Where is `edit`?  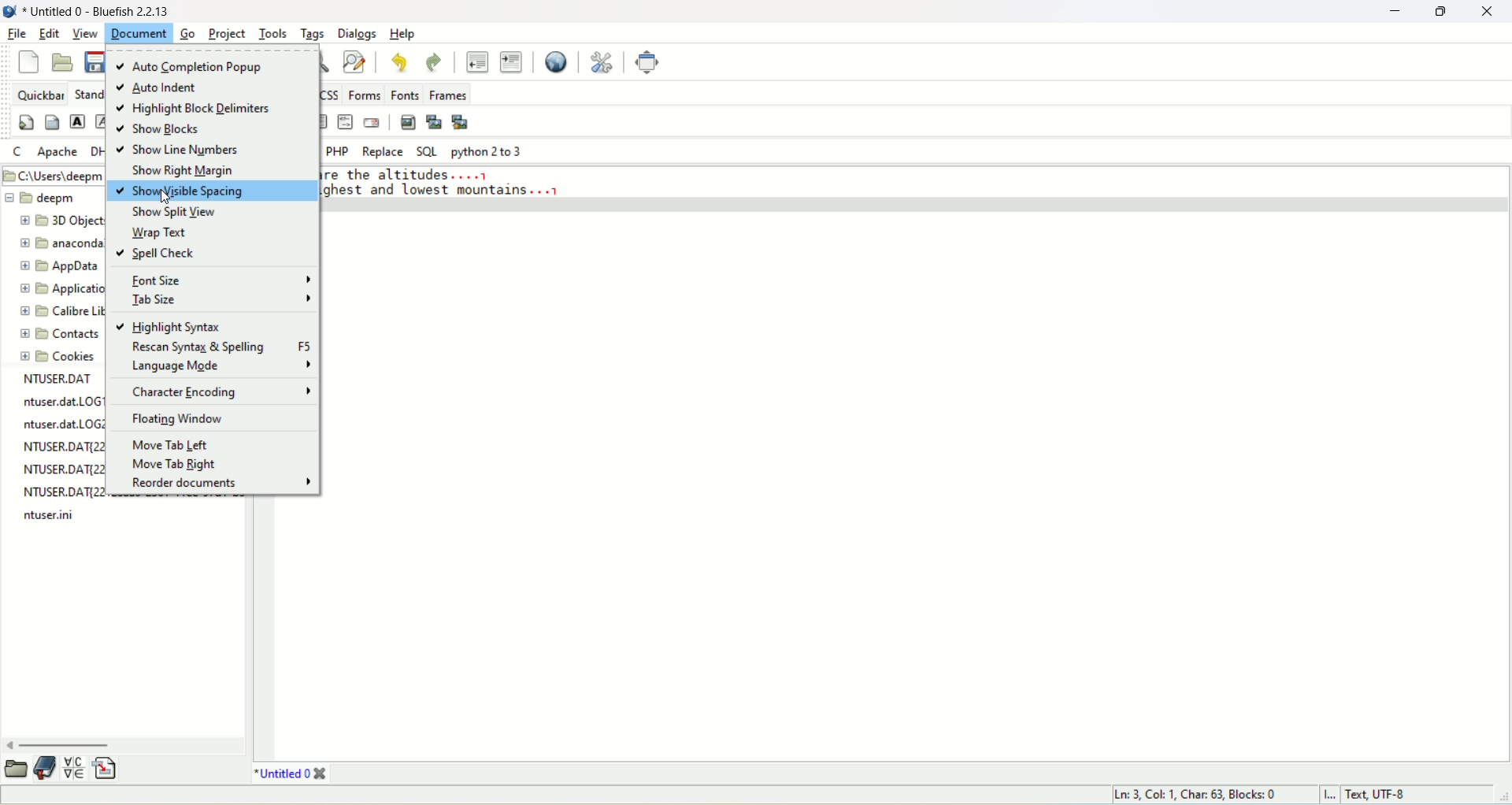 edit is located at coordinates (50, 32).